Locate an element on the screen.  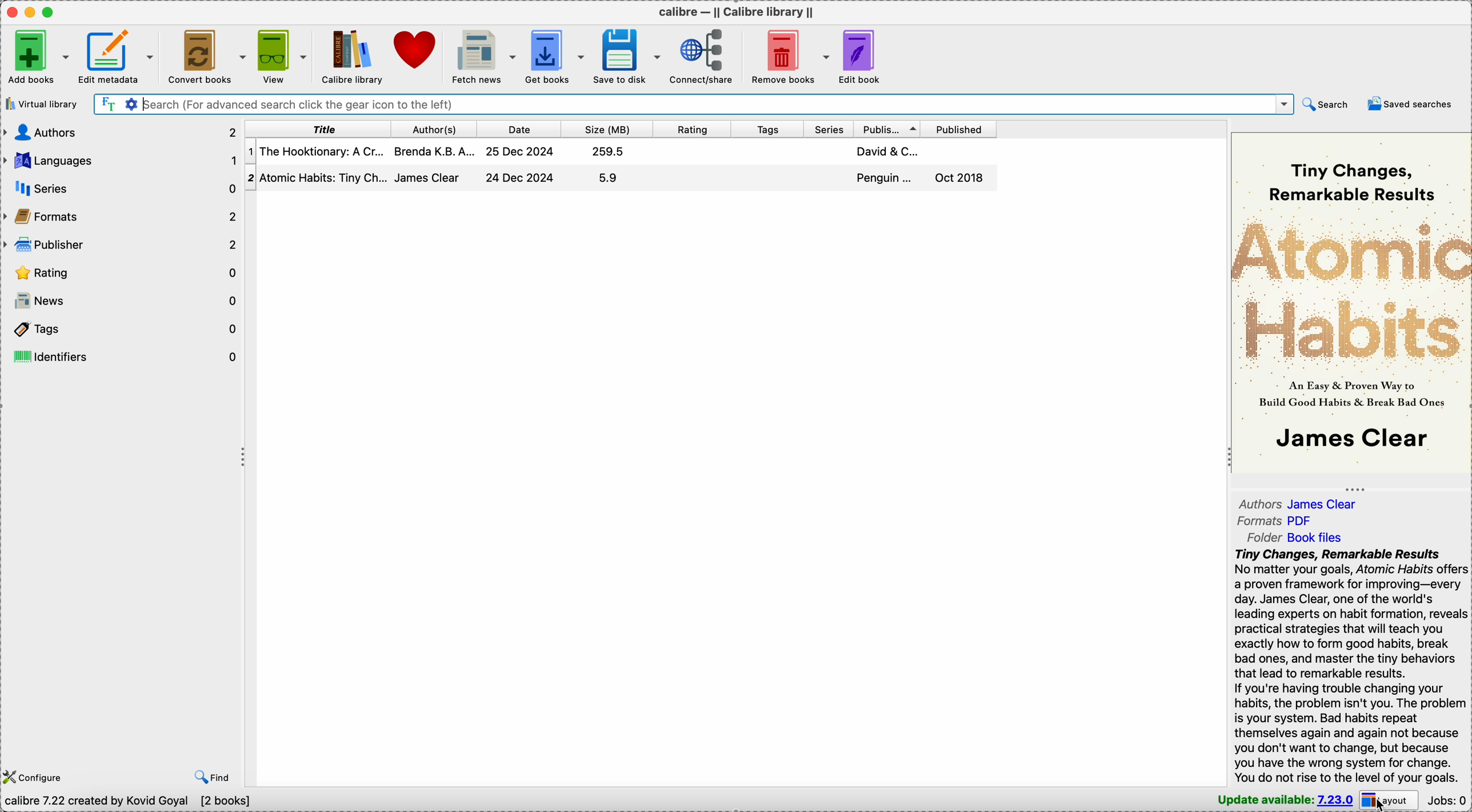
view is located at coordinates (282, 55).